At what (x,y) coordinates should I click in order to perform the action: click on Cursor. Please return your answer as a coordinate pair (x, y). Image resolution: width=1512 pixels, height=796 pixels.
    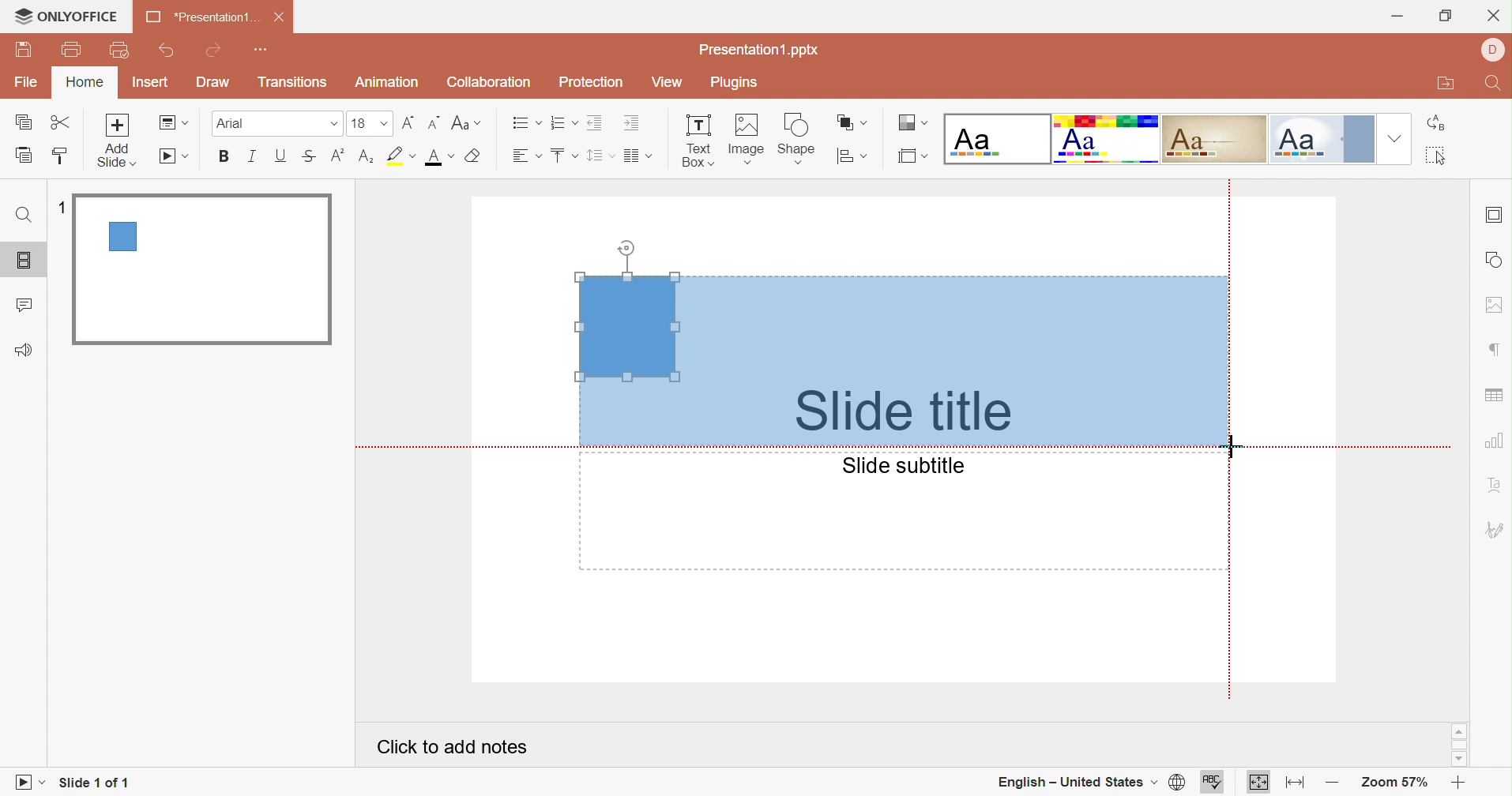
    Looking at the image, I should click on (1232, 445).